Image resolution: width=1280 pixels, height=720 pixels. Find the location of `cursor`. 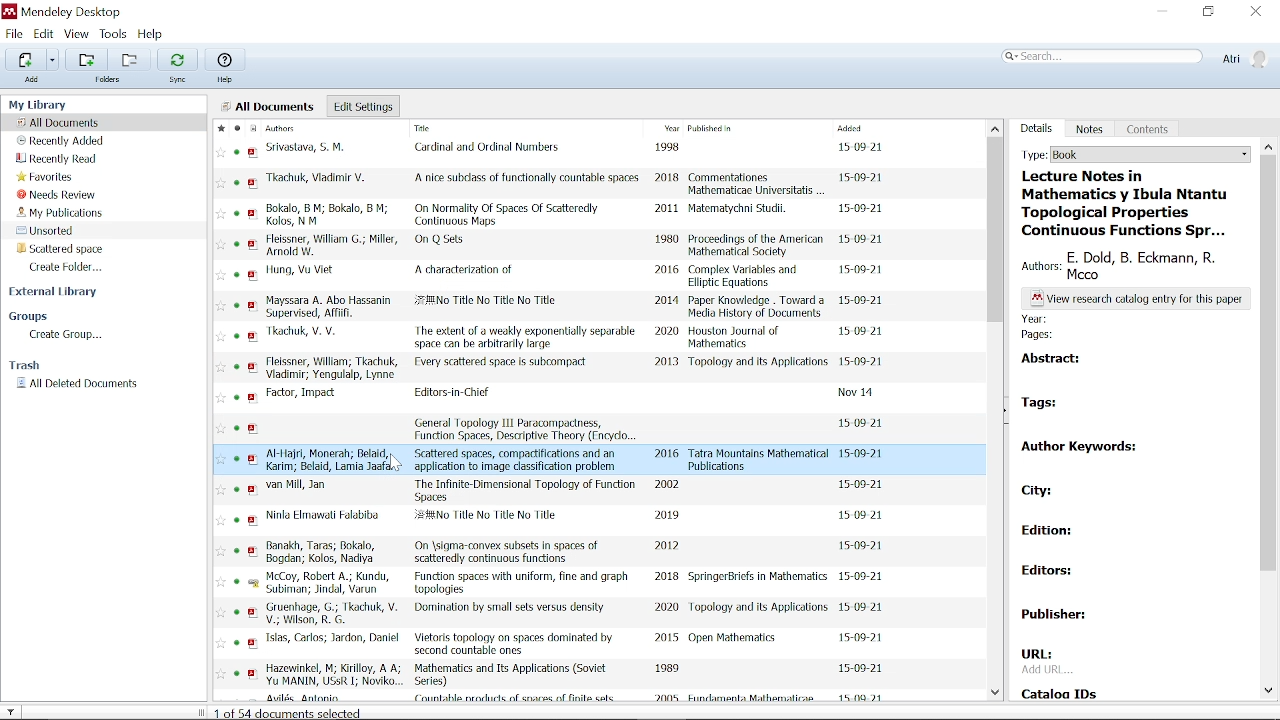

cursor is located at coordinates (400, 464).